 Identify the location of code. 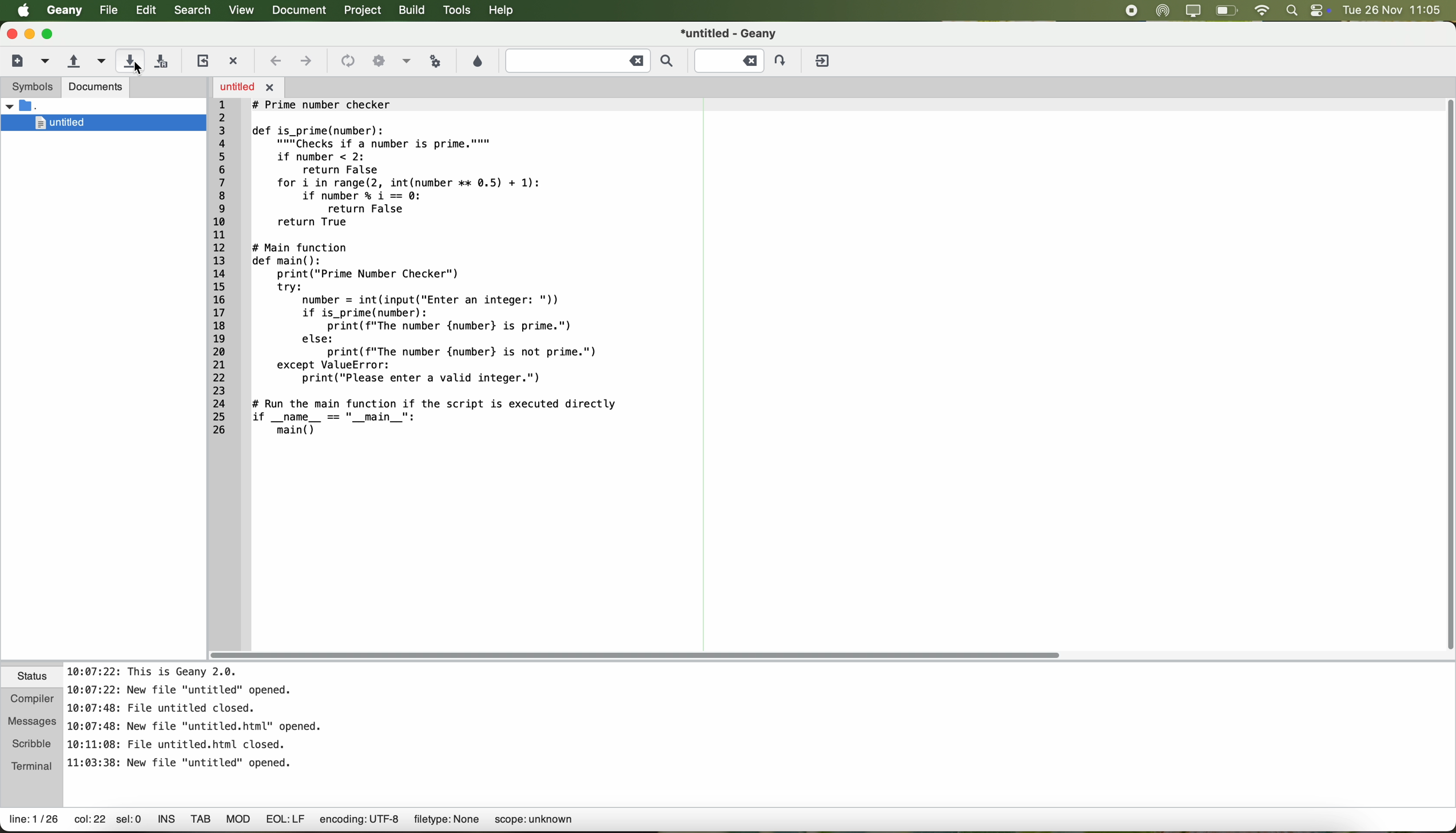
(421, 269).